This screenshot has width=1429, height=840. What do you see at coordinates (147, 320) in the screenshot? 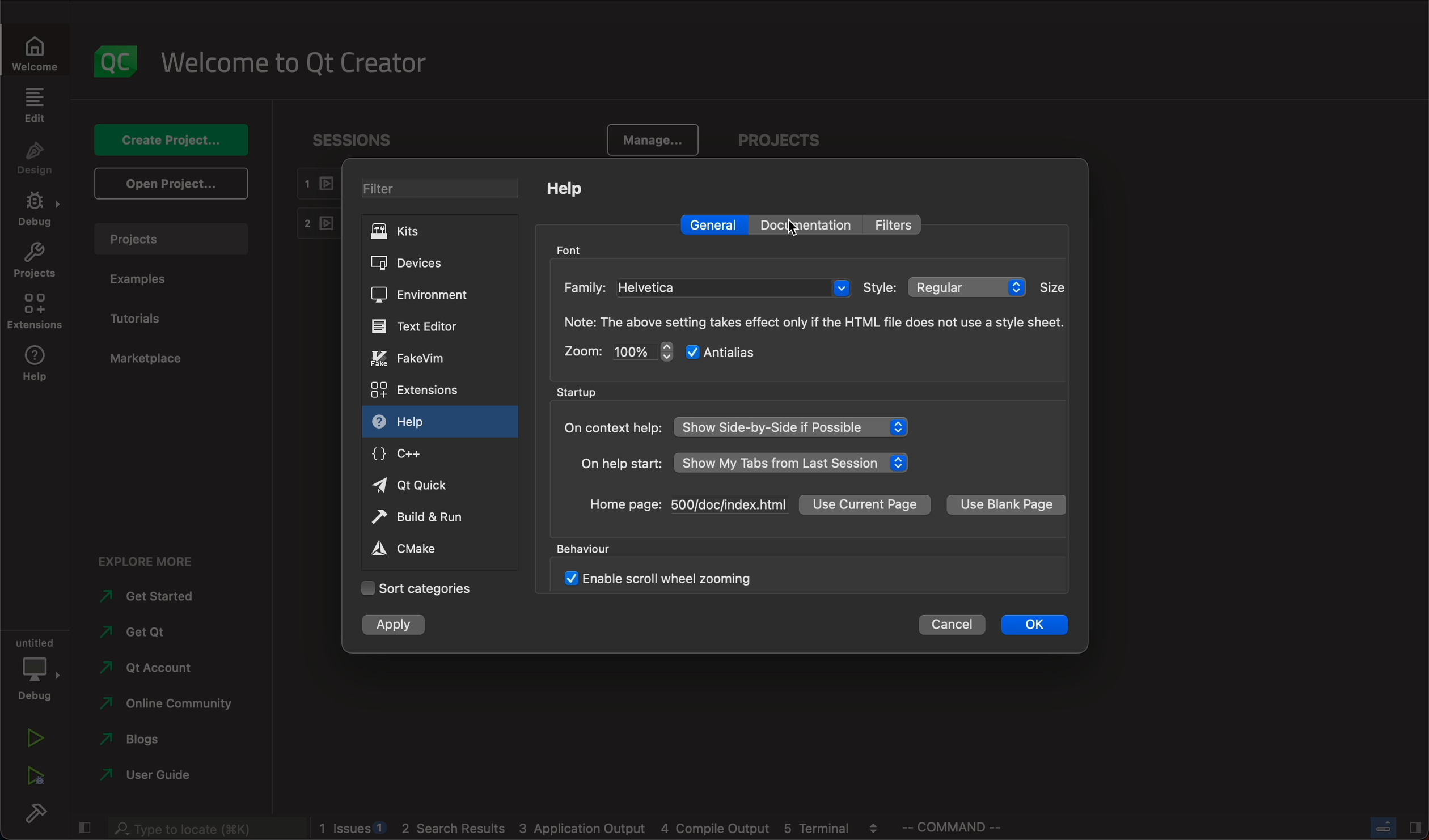
I see `tutorials` at bounding box center [147, 320].